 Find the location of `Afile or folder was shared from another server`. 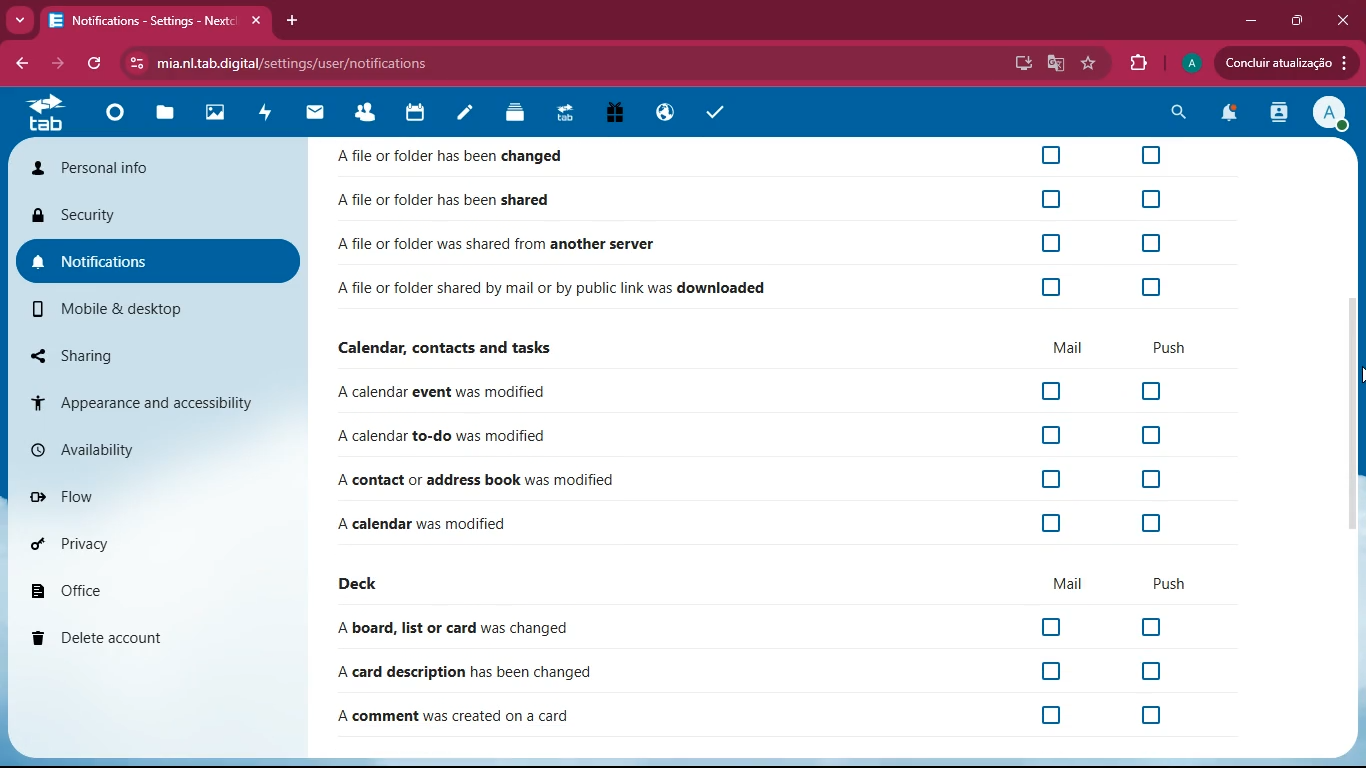

Afile or folder was shared from another server is located at coordinates (495, 246).